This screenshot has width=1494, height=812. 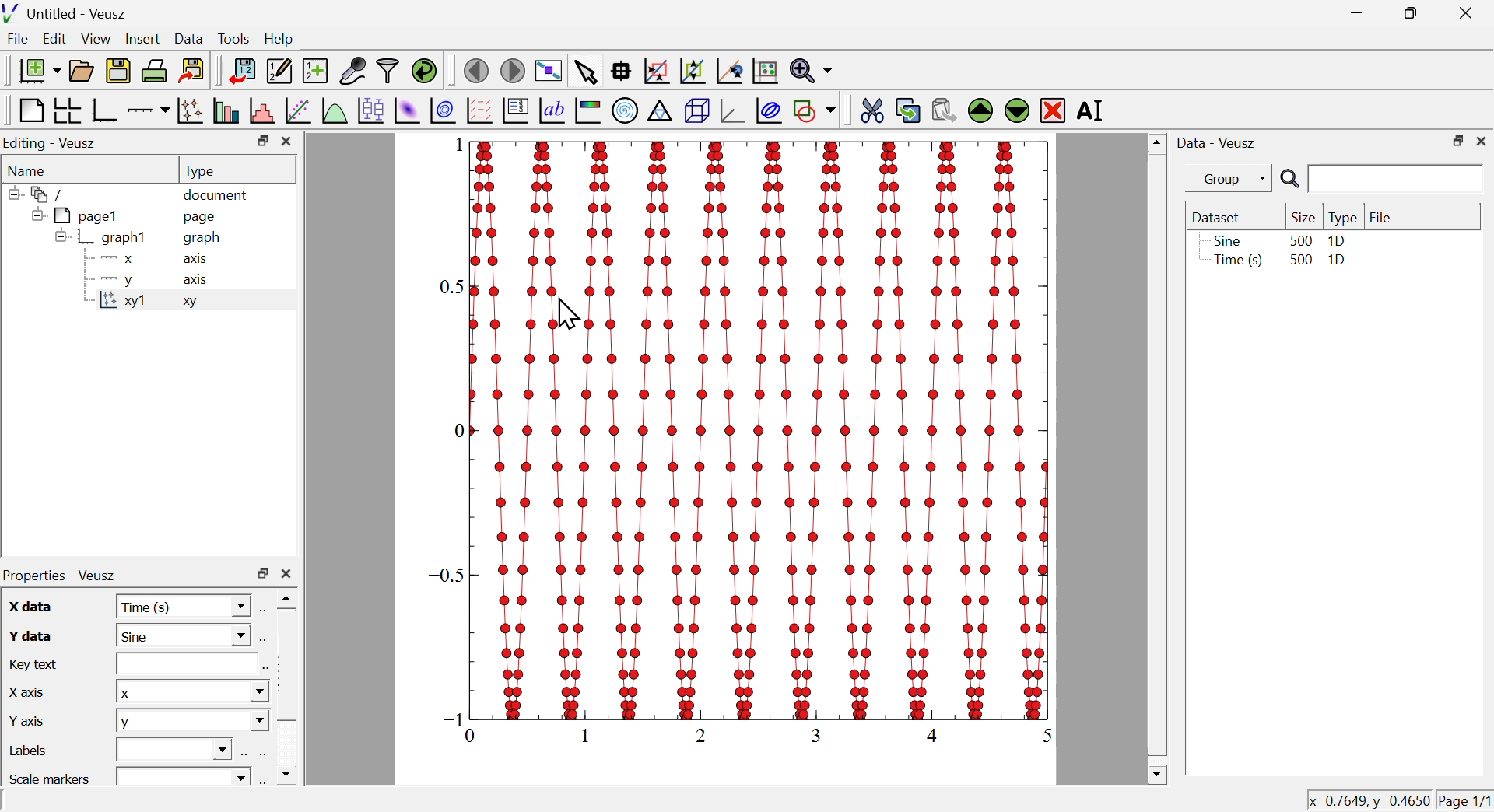 I want to click on export to graphic formats, so click(x=192, y=72).